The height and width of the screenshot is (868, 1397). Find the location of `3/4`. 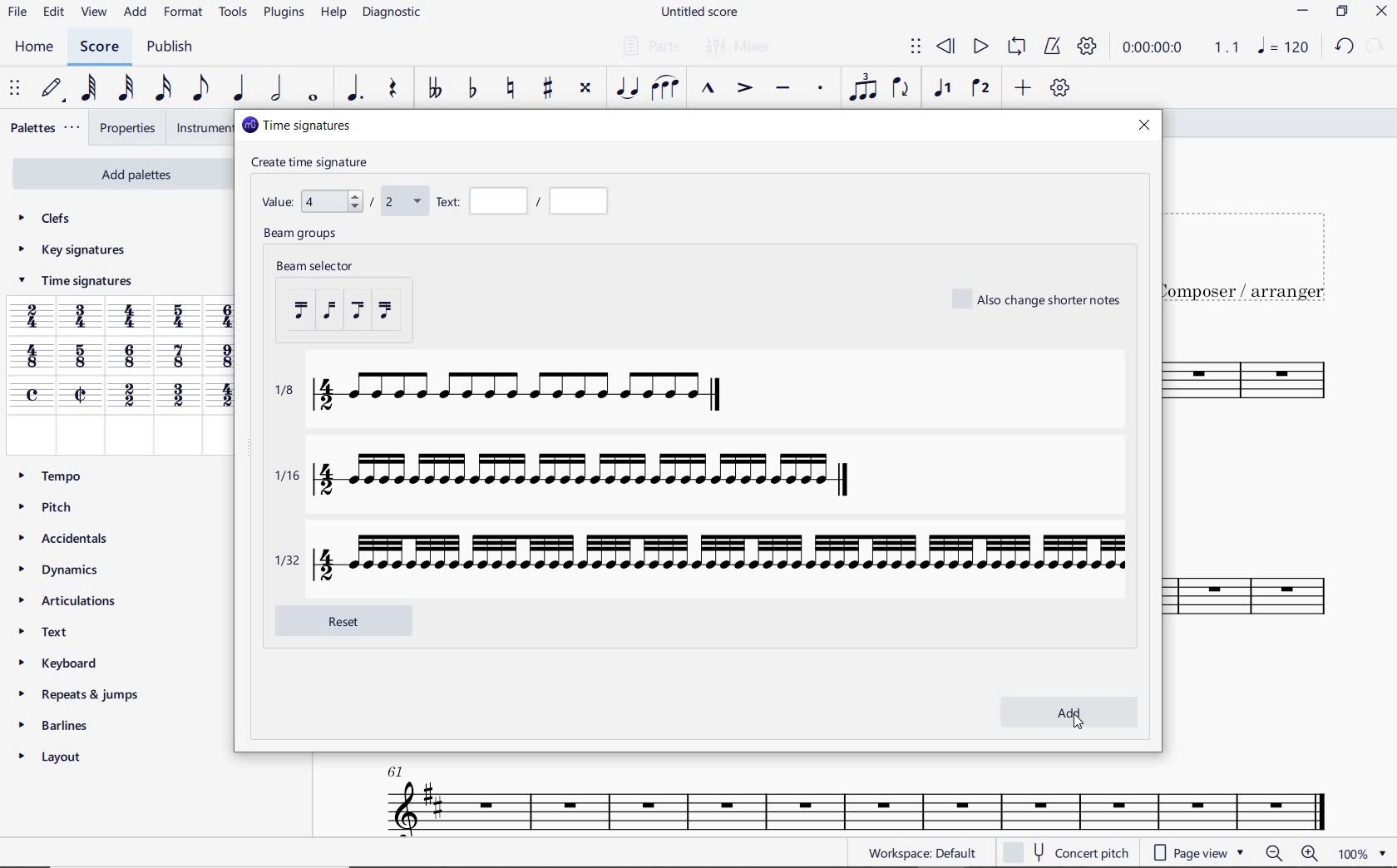

3/4 is located at coordinates (82, 318).